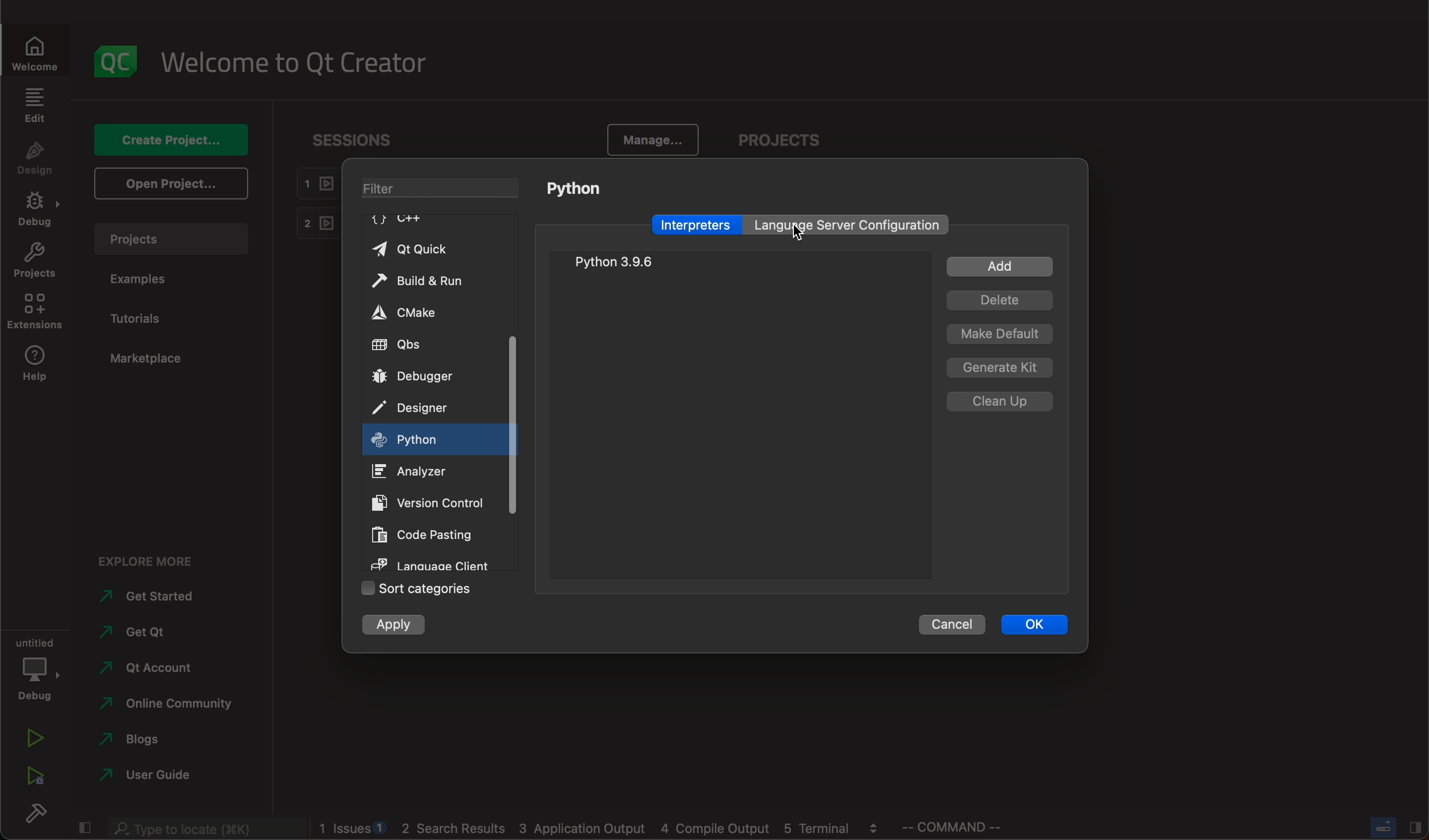  I want to click on help, so click(33, 363).